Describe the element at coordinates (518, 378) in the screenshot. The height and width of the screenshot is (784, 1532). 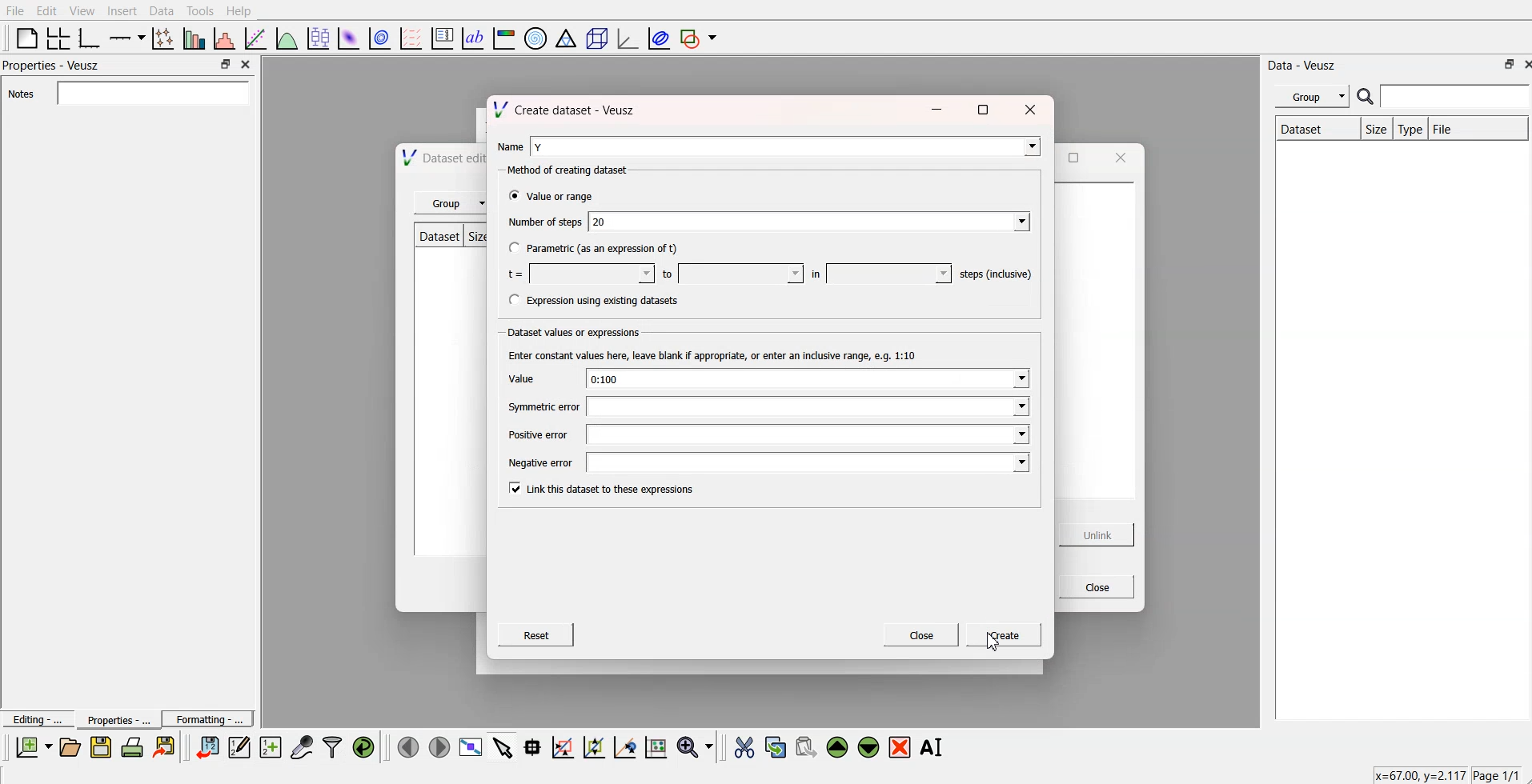
I see `Value` at that location.